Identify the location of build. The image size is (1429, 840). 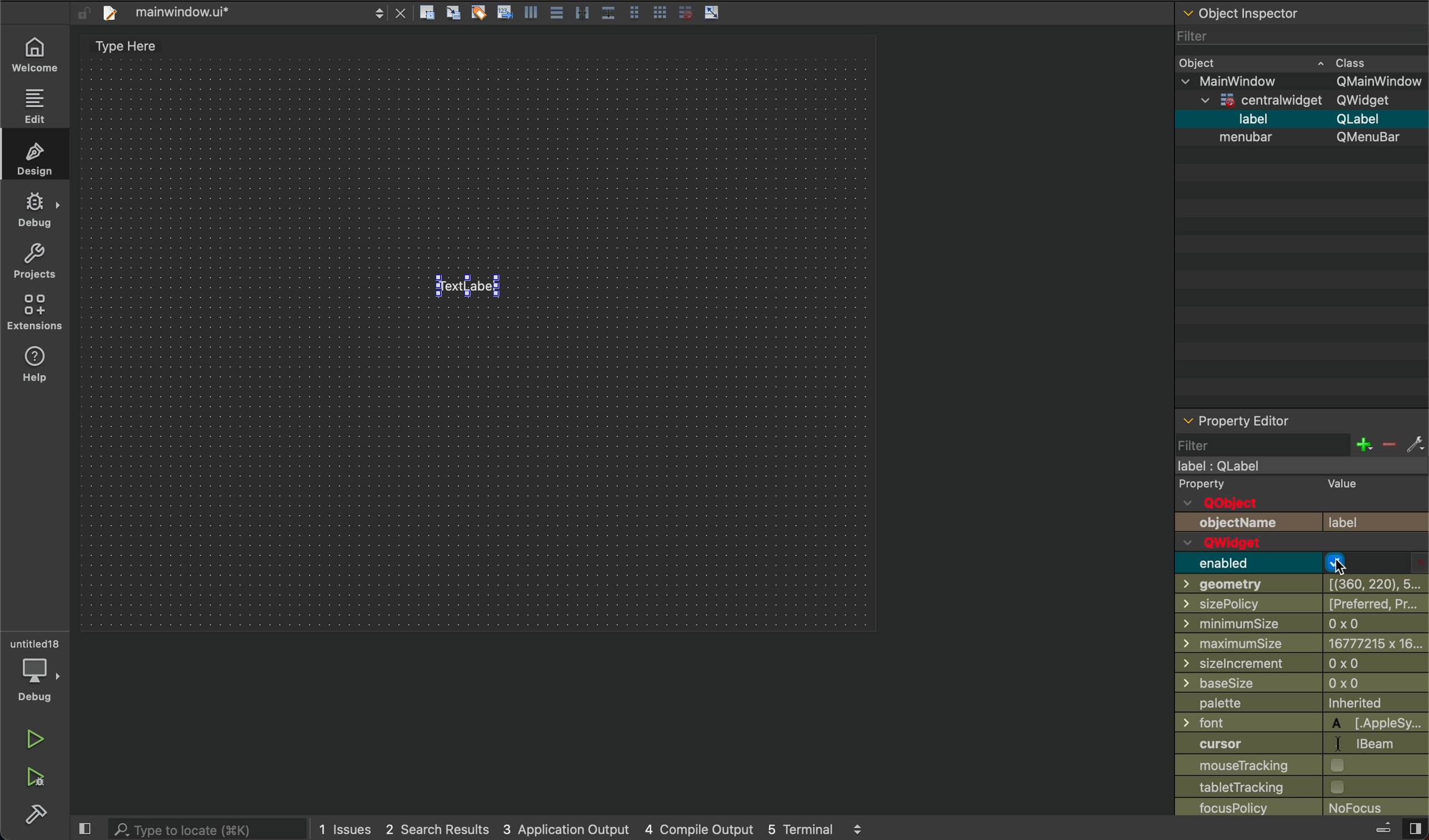
(34, 816).